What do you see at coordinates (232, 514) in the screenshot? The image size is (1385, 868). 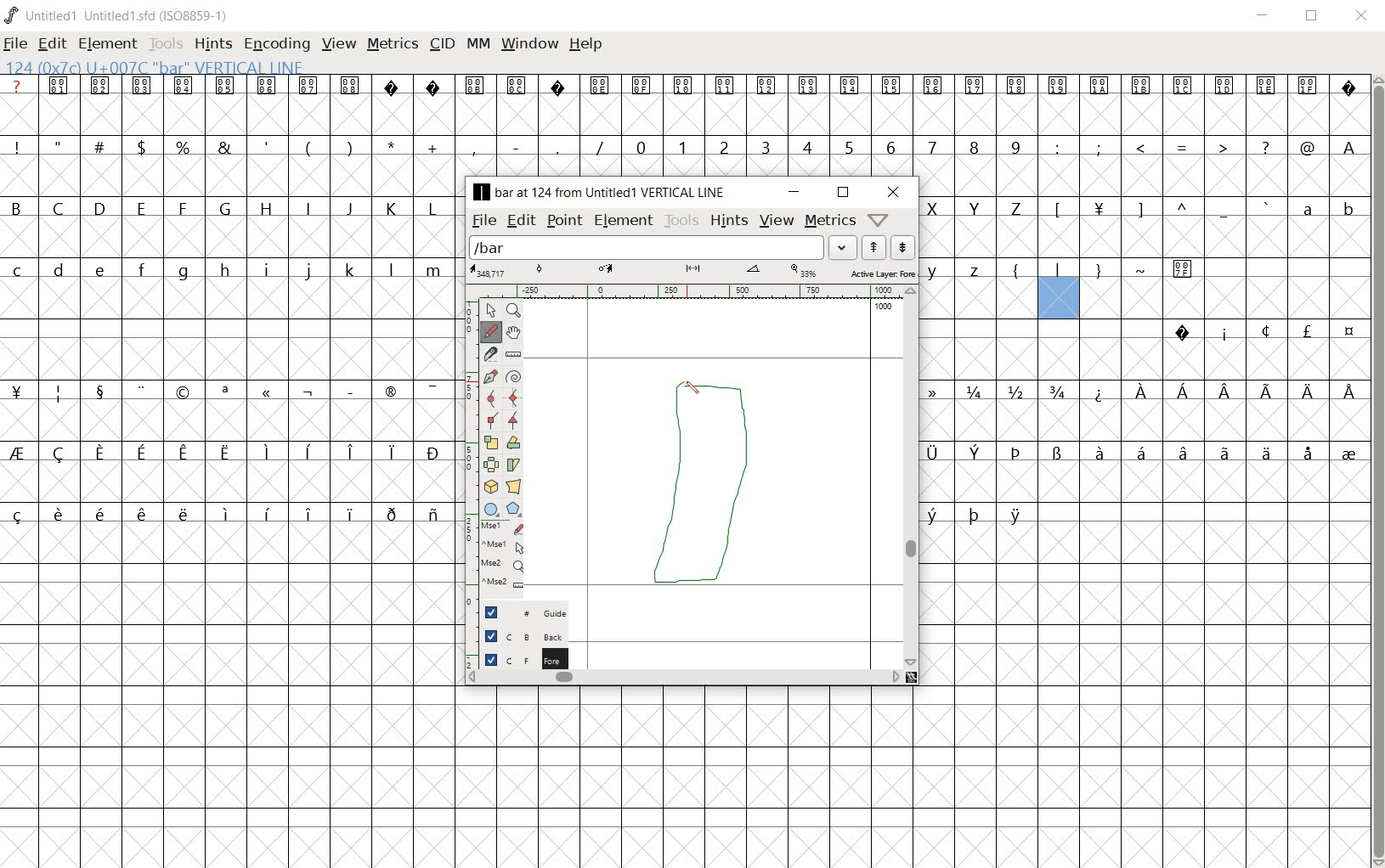 I see `special letters` at bounding box center [232, 514].